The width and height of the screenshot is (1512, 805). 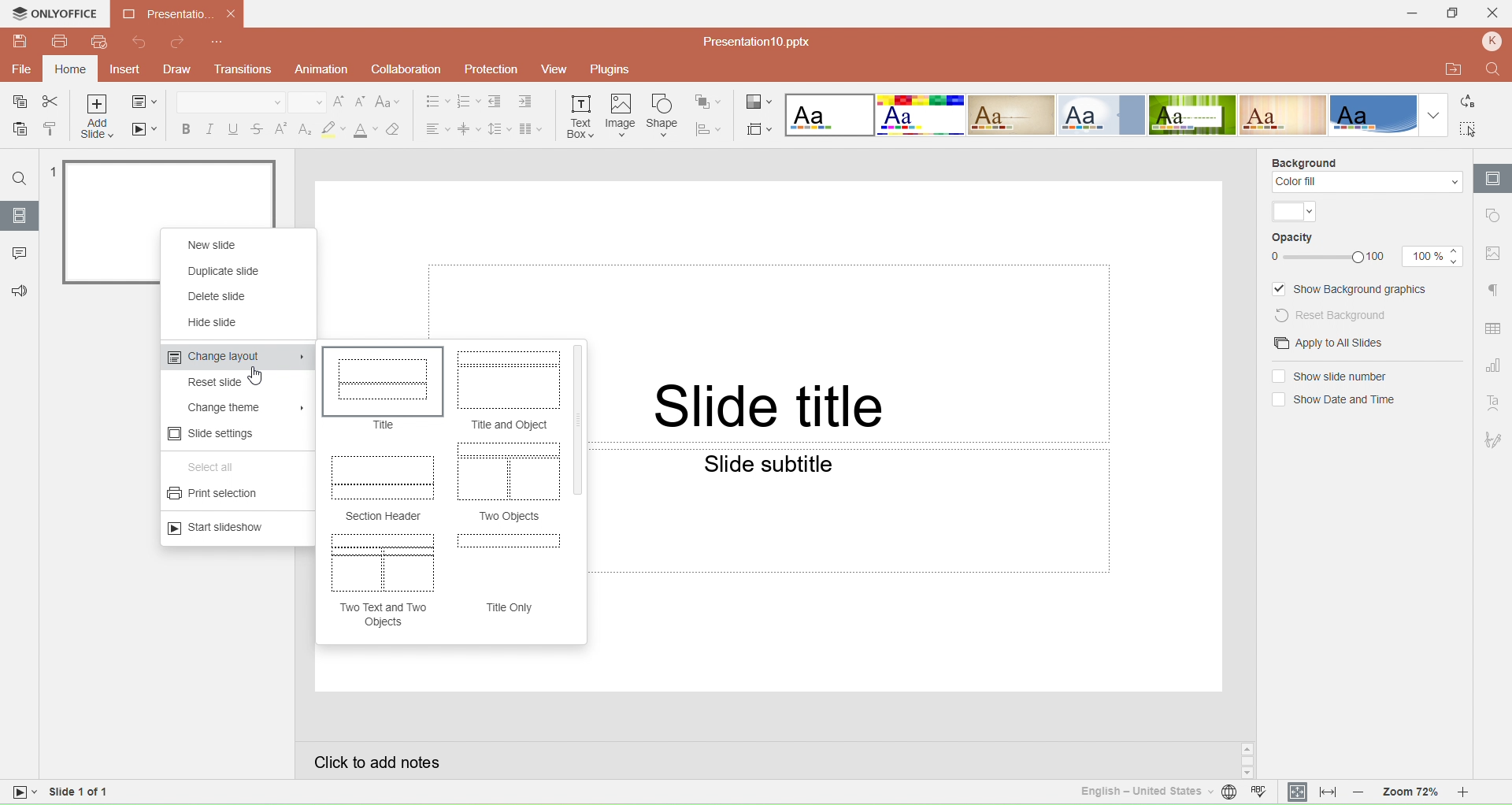 What do you see at coordinates (759, 100) in the screenshot?
I see `Change color theme` at bounding box center [759, 100].